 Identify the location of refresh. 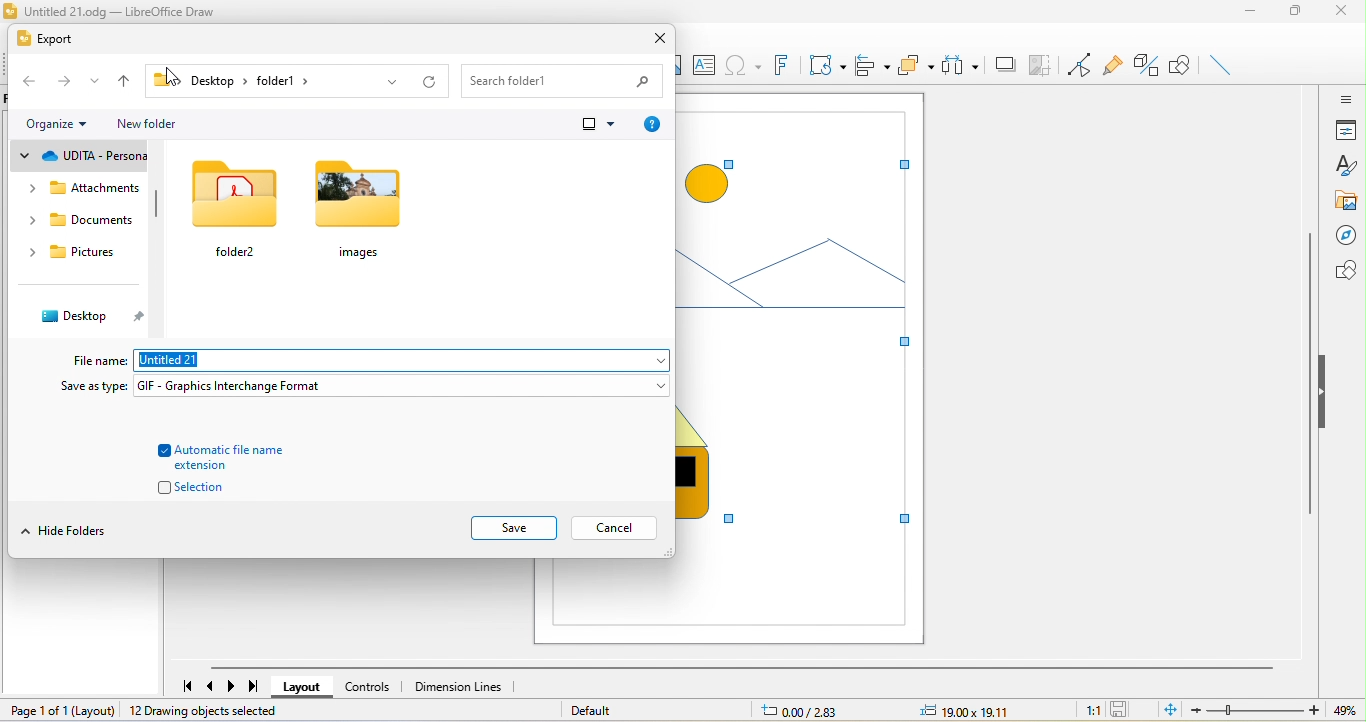
(426, 80).